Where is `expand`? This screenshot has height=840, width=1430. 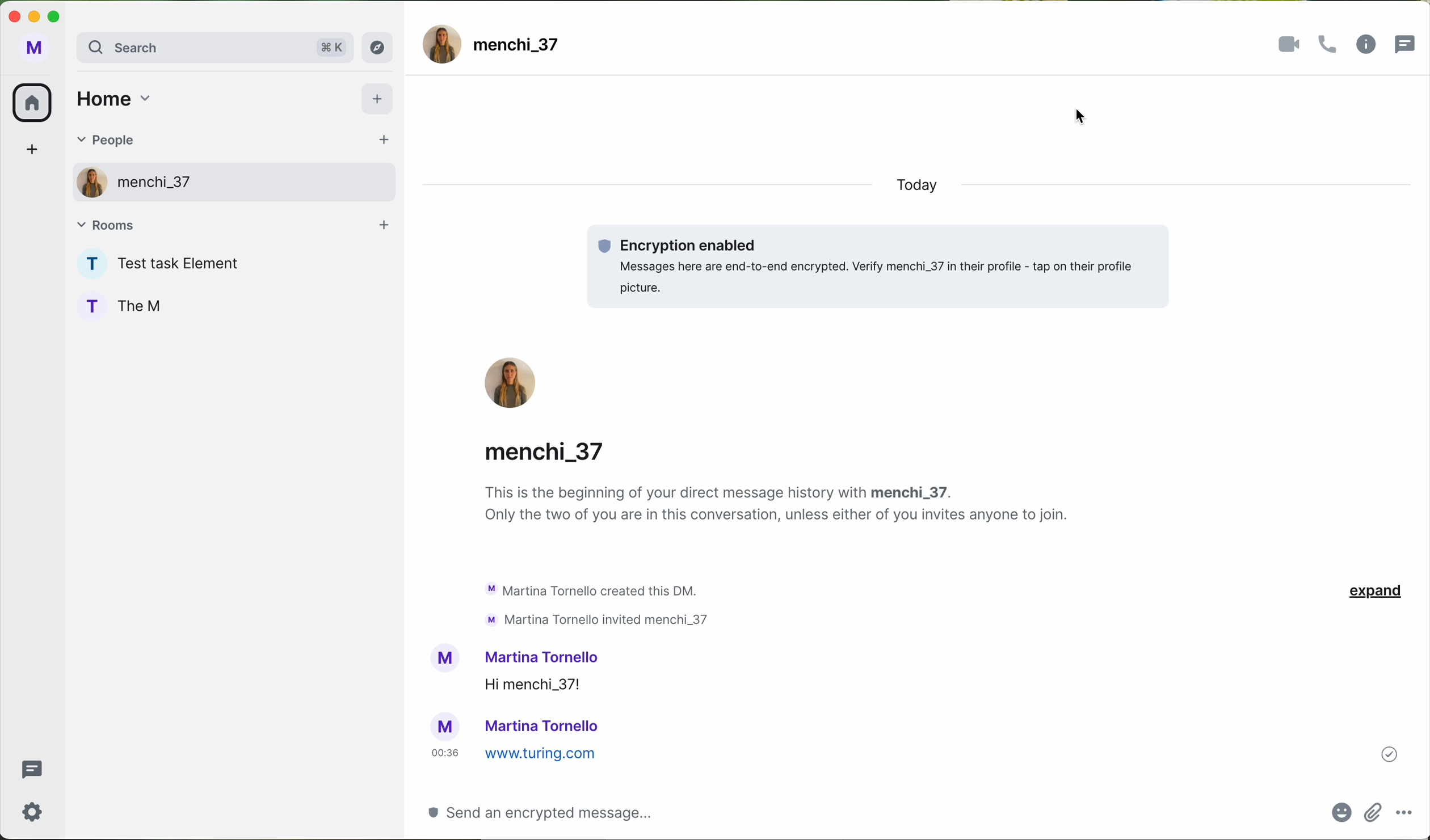
expand is located at coordinates (1374, 589).